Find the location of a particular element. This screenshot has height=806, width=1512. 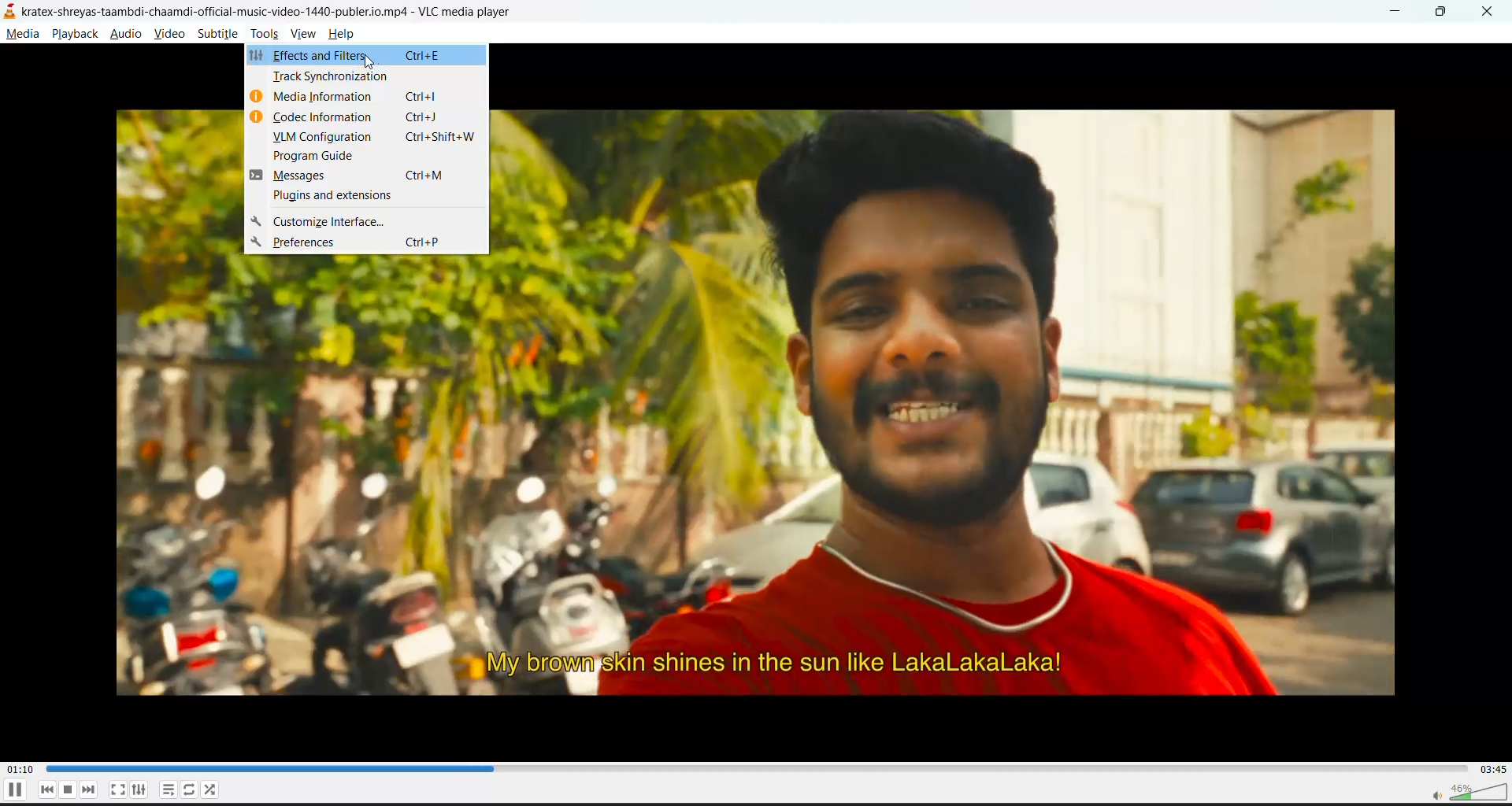

program guide is located at coordinates (320, 158).